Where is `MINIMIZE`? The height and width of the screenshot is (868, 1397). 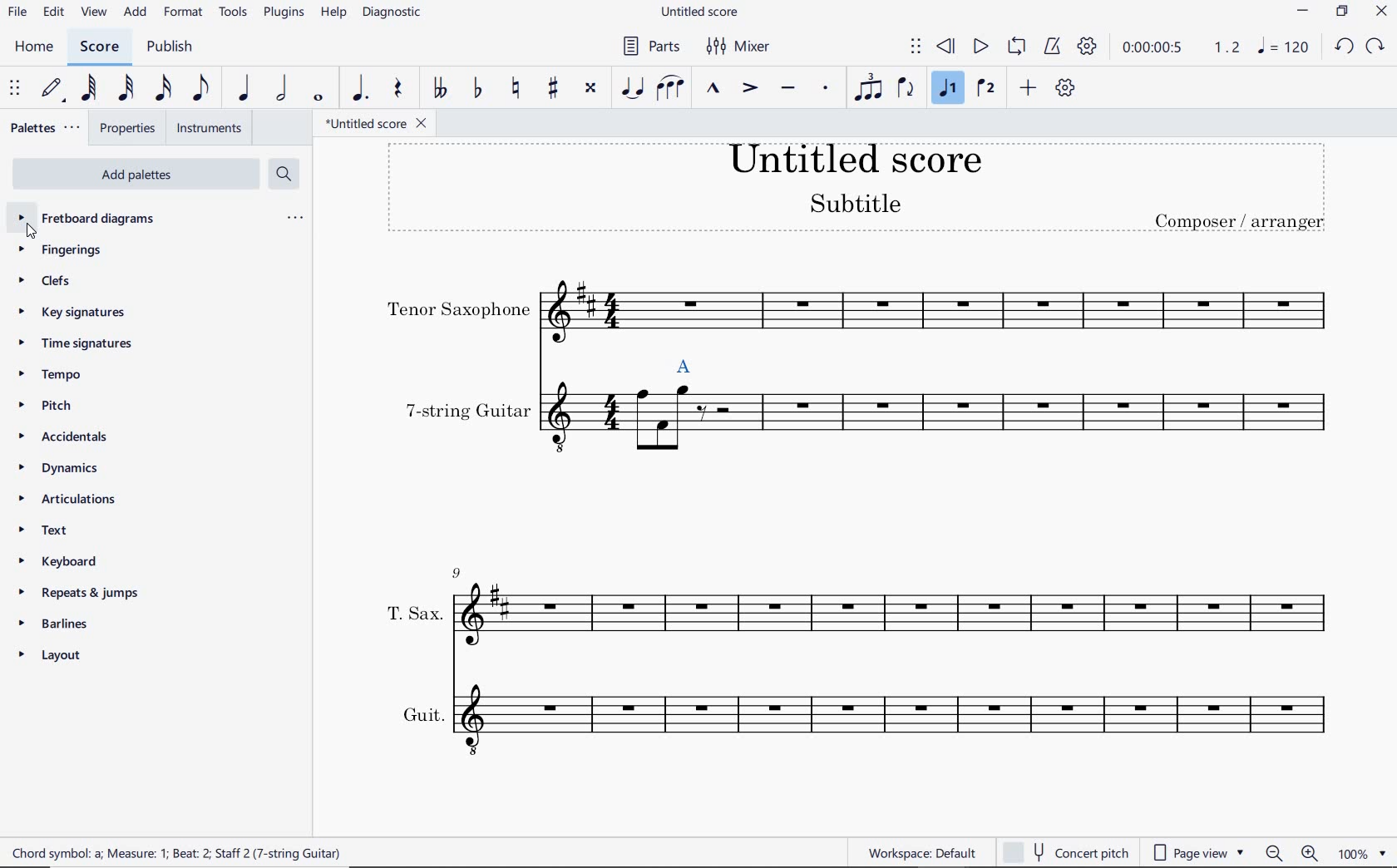
MINIMIZE is located at coordinates (1301, 12).